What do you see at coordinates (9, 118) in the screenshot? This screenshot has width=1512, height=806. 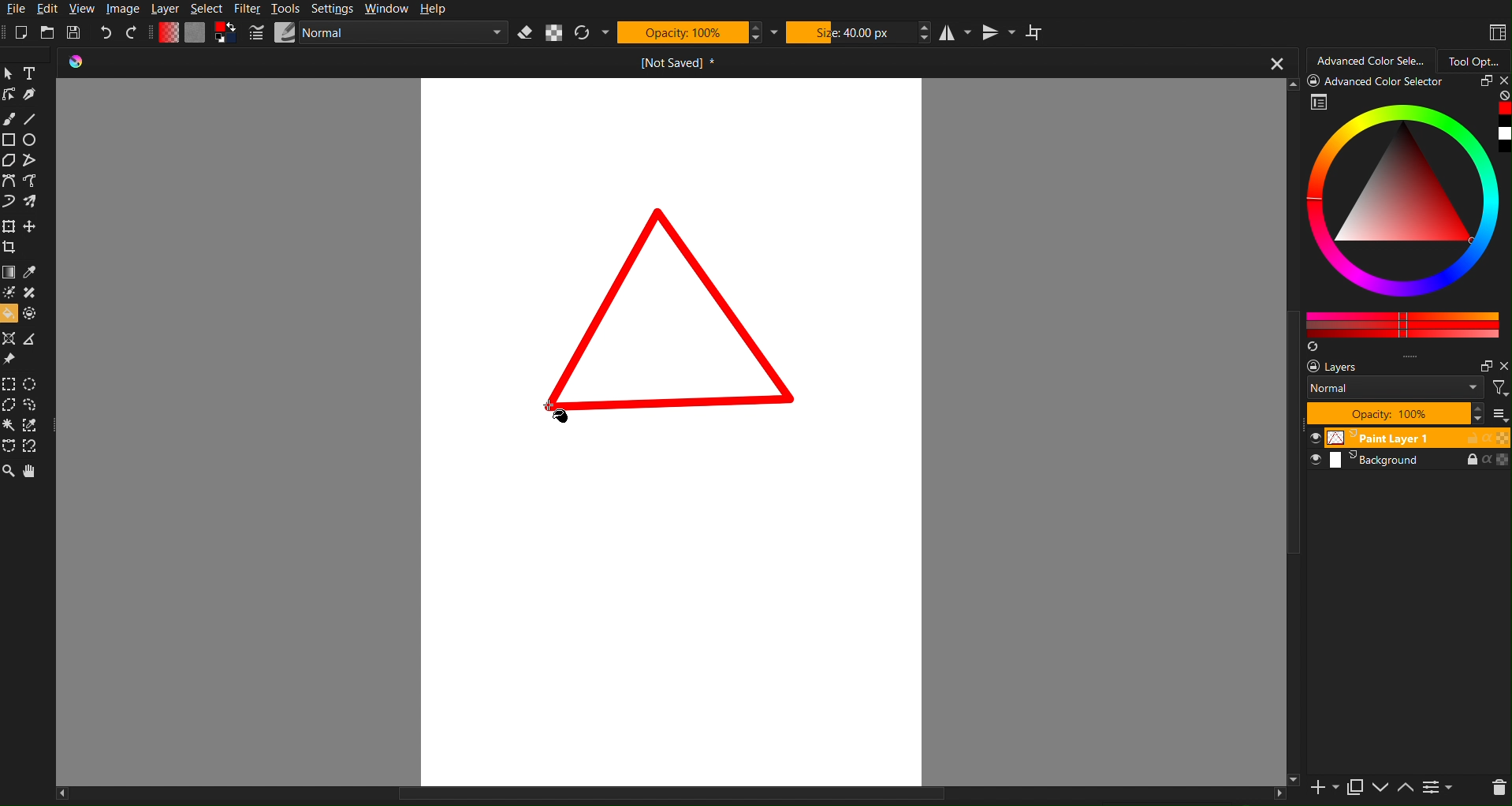 I see `Brush Tools` at bounding box center [9, 118].